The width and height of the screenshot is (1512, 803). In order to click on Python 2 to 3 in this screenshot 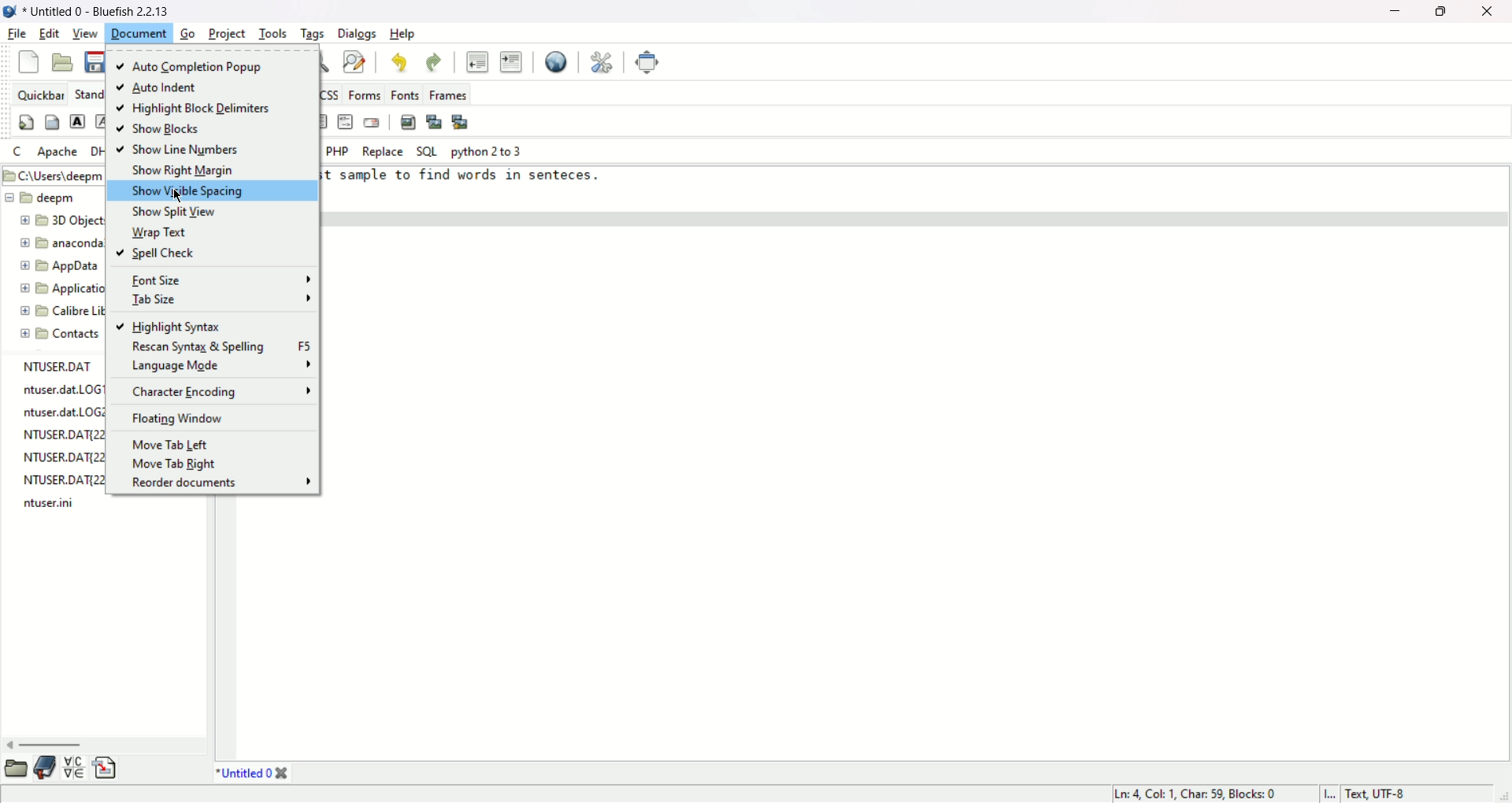, I will do `click(495, 151)`.